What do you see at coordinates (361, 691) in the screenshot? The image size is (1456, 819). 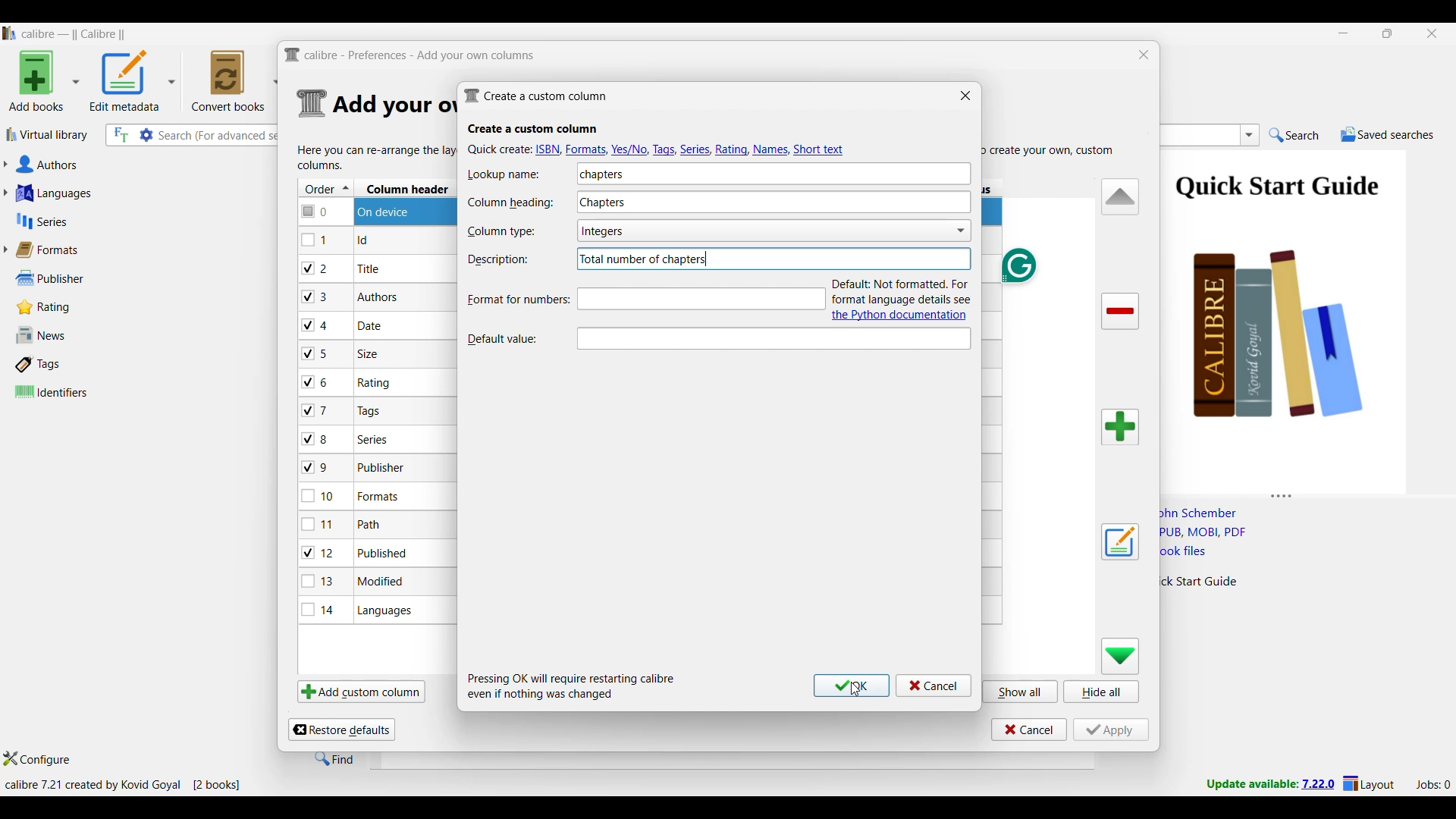 I see `Add custom column` at bounding box center [361, 691].